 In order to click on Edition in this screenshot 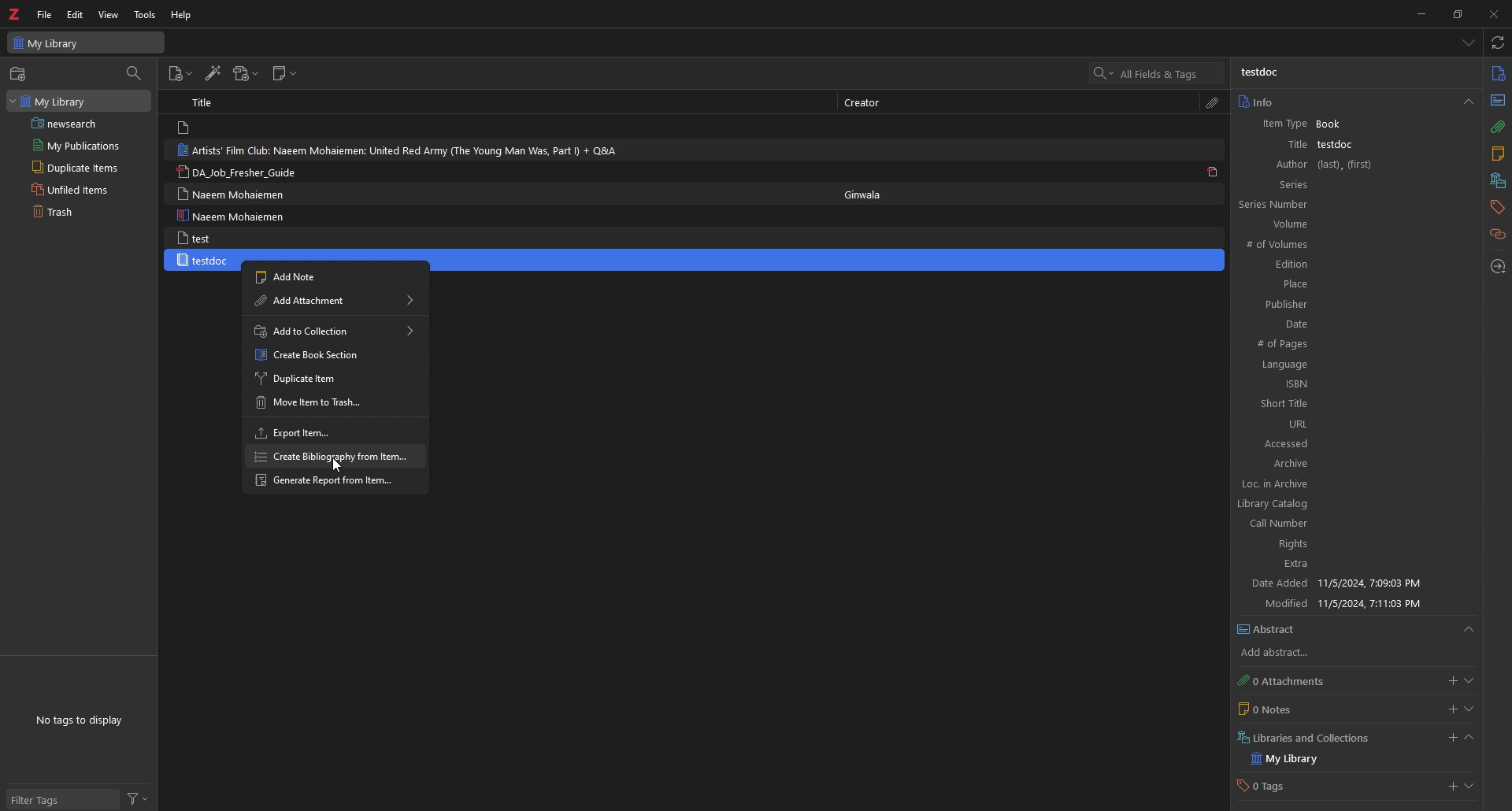, I will do `click(1344, 265)`.